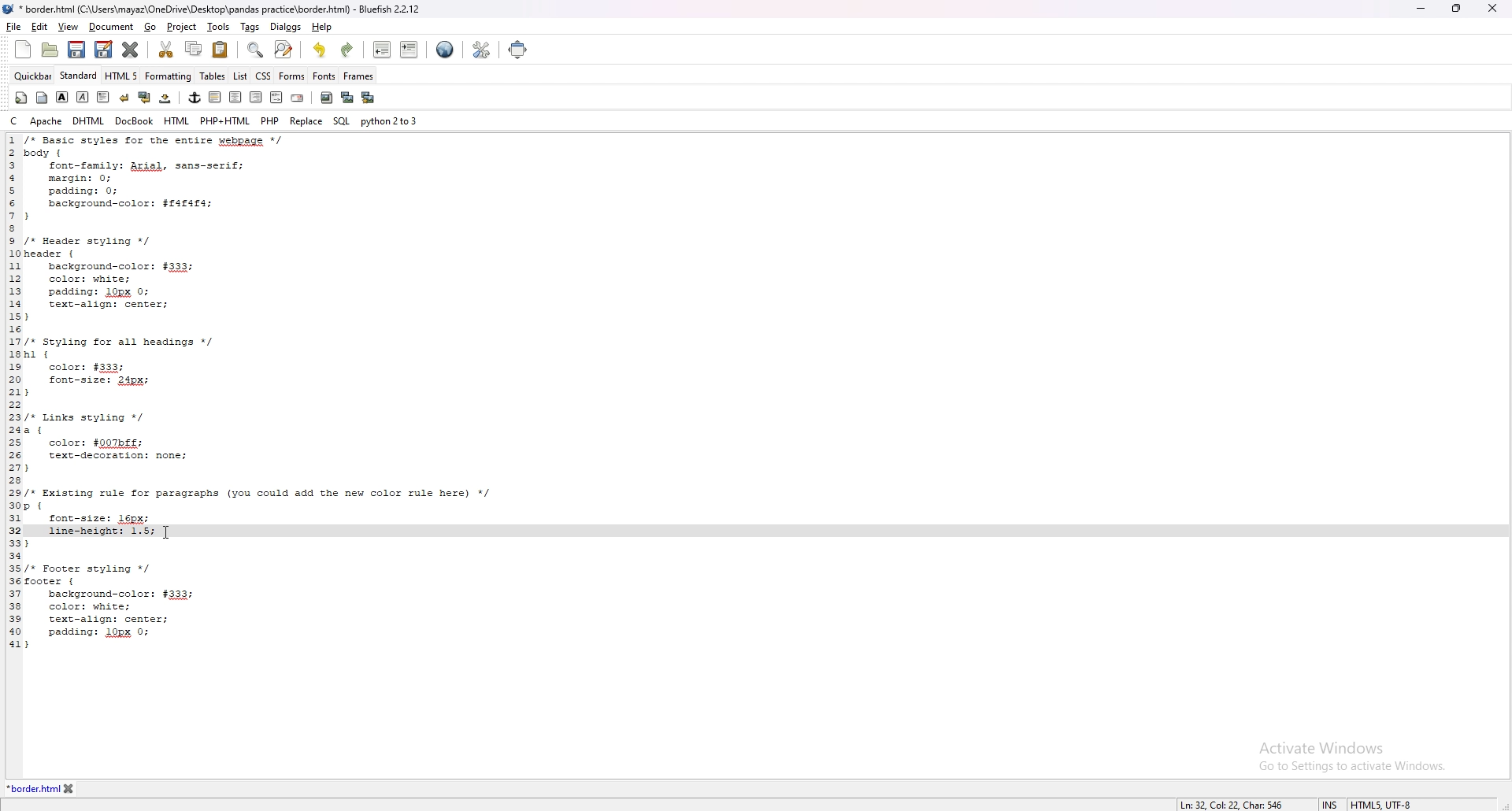 The image size is (1512, 811). What do you see at coordinates (1387, 802) in the screenshot?
I see `HTML5, UTF-8` at bounding box center [1387, 802].